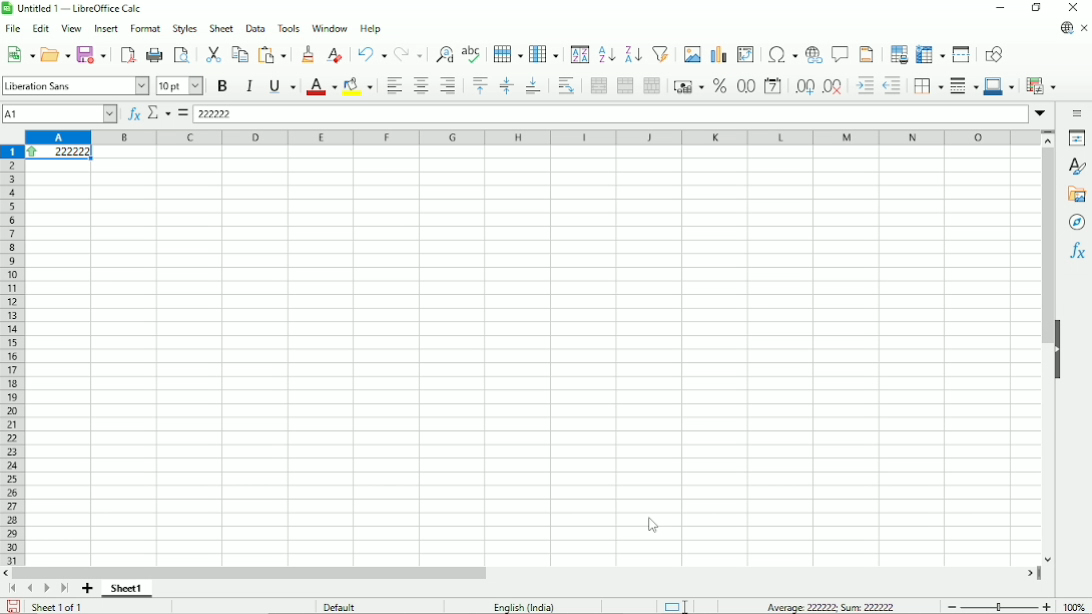 Image resolution: width=1092 pixels, height=614 pixels. Describe the element at coordinates (625, 86) in the screenshot. I see `Merge cells` at that location.